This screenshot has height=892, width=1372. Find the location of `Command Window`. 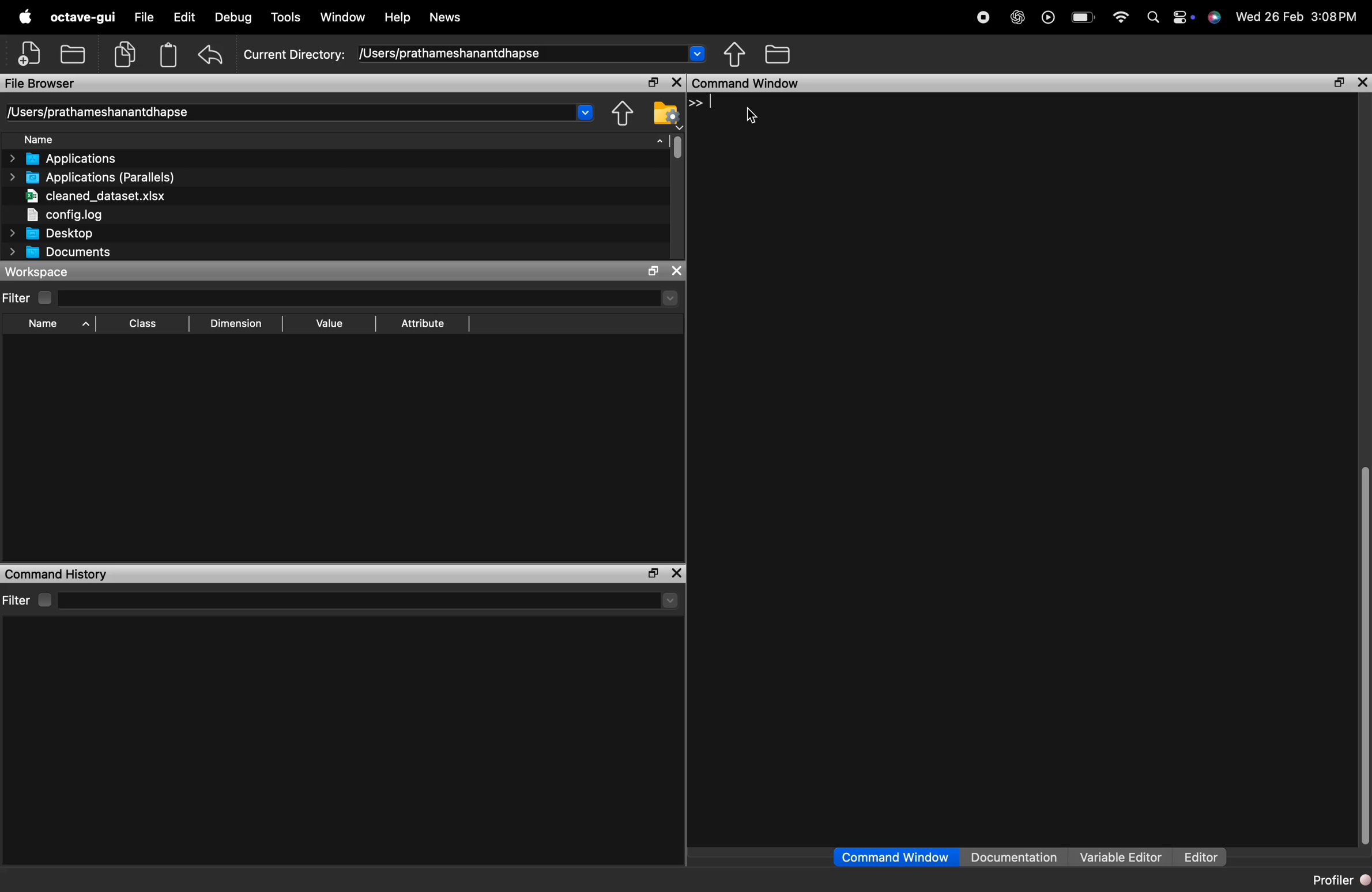

Command Window is located at coordinates (894, 858).